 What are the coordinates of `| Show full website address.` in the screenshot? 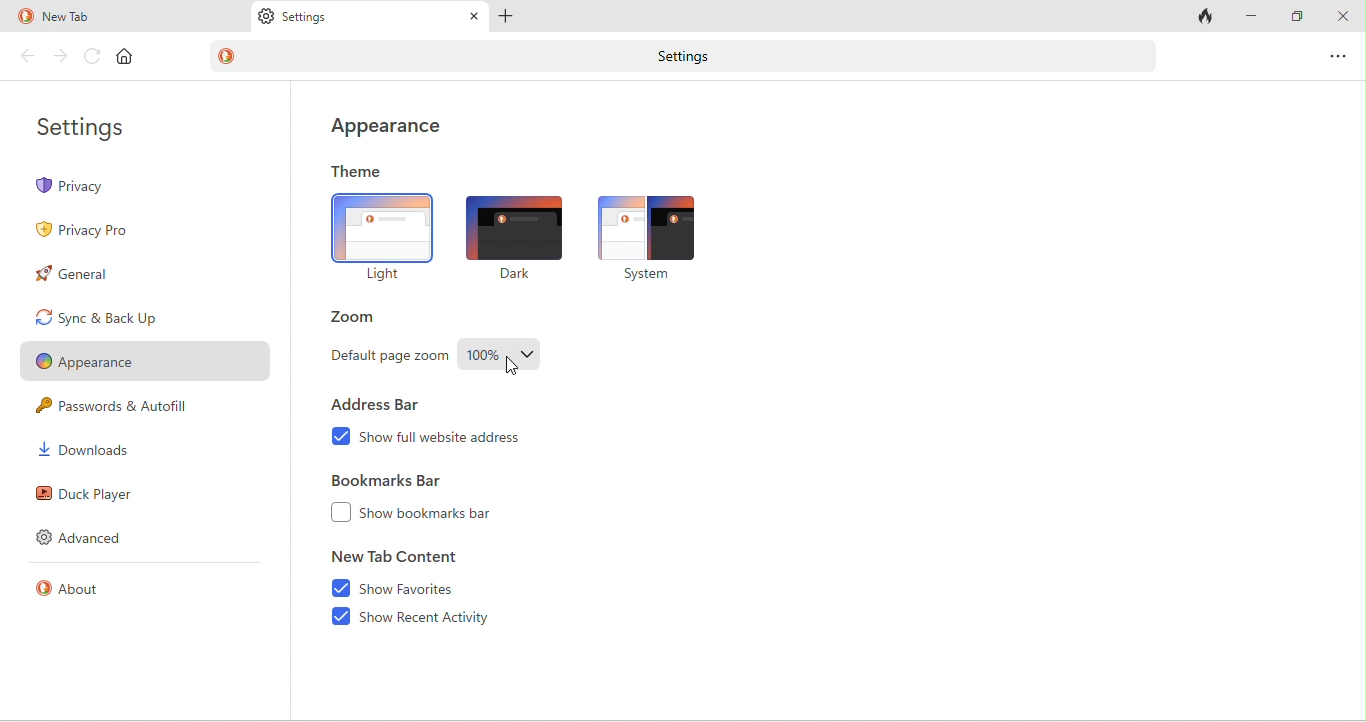 It's located at (445, 438).